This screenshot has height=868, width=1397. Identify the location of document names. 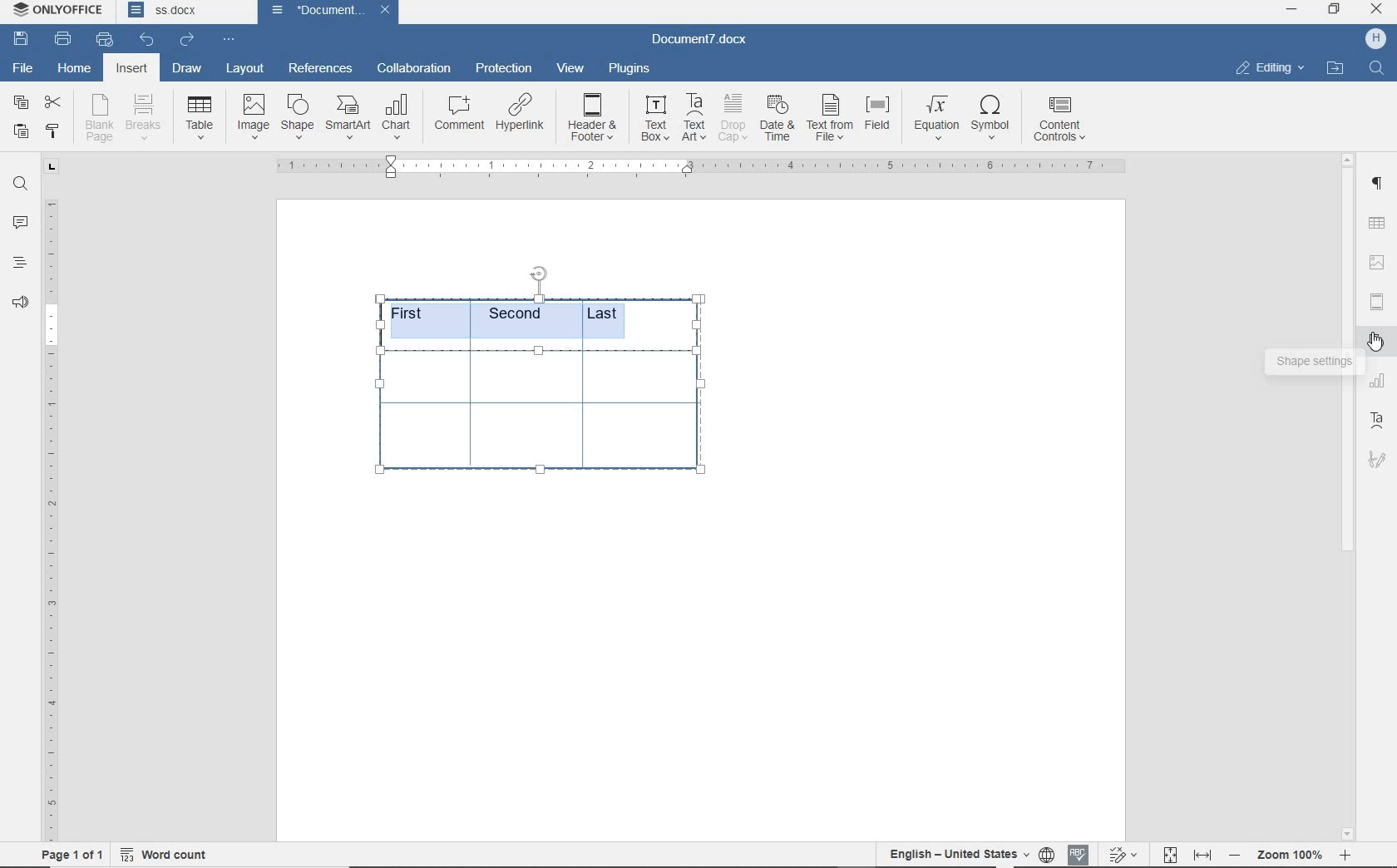
(185, 12).